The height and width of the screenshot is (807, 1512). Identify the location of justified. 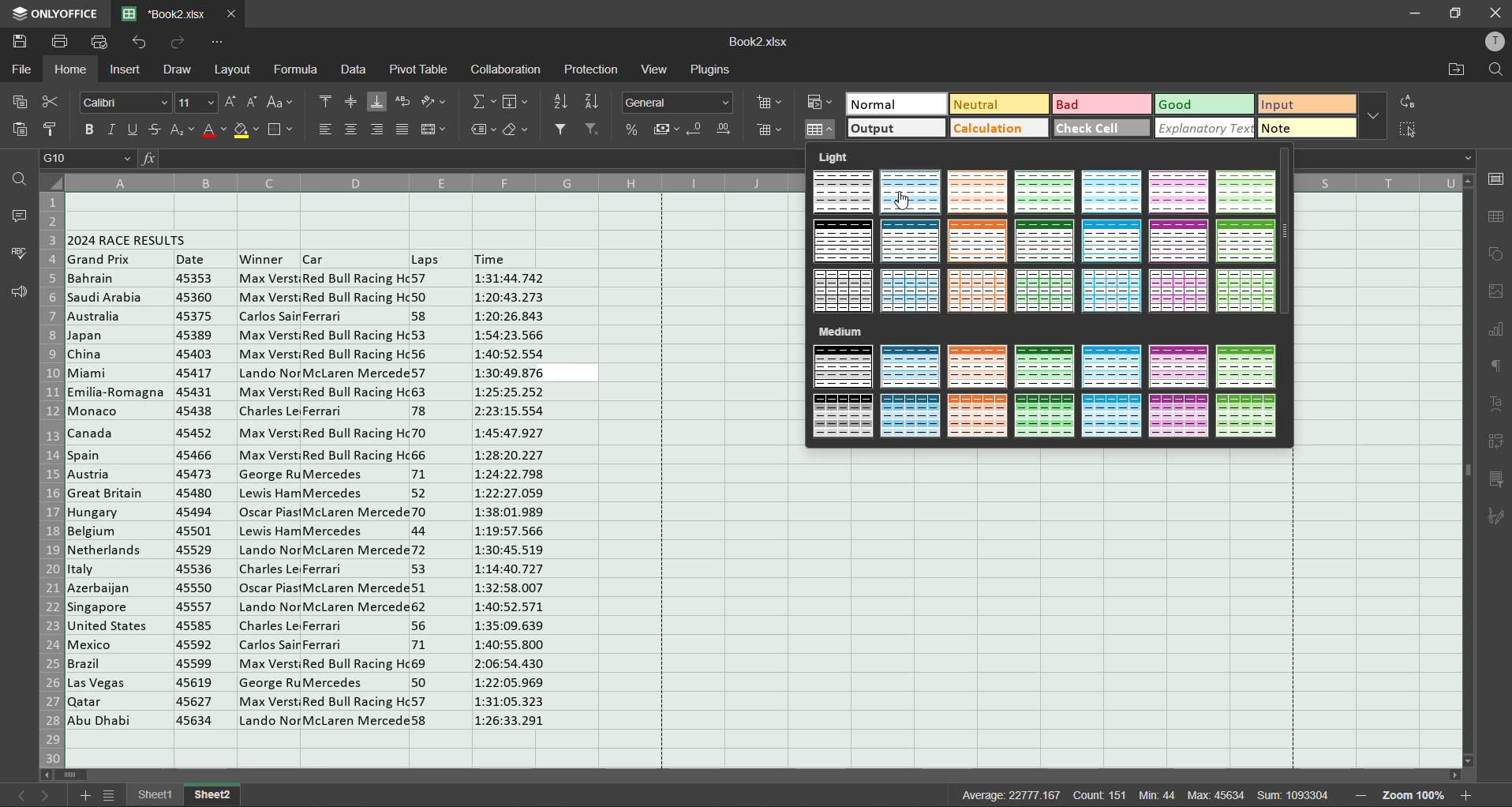
(402, 128).